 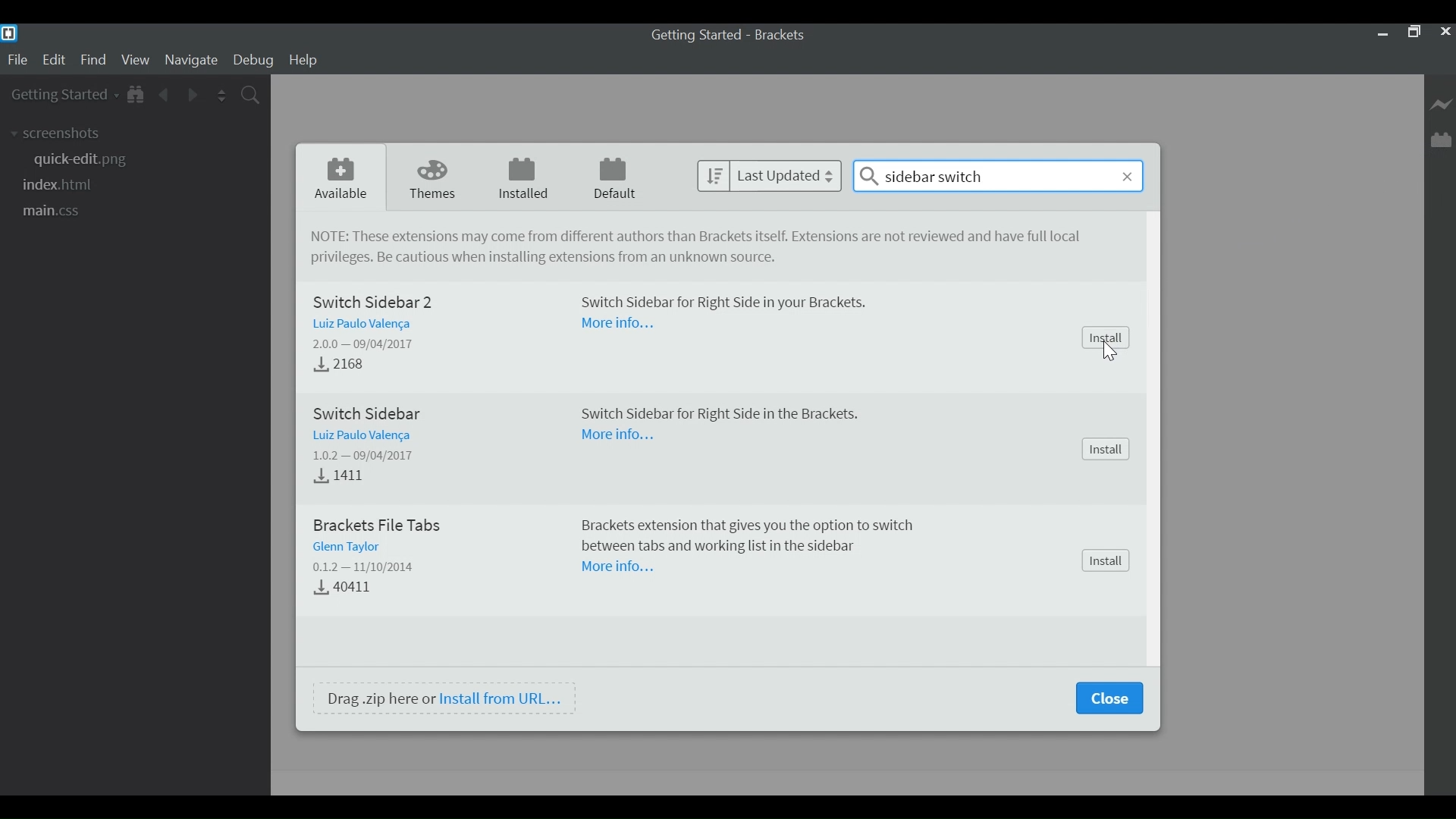 What do you see at coordinates (60, 184) in the screenshot?
I see `index.html` at bounding box center [60, 184].